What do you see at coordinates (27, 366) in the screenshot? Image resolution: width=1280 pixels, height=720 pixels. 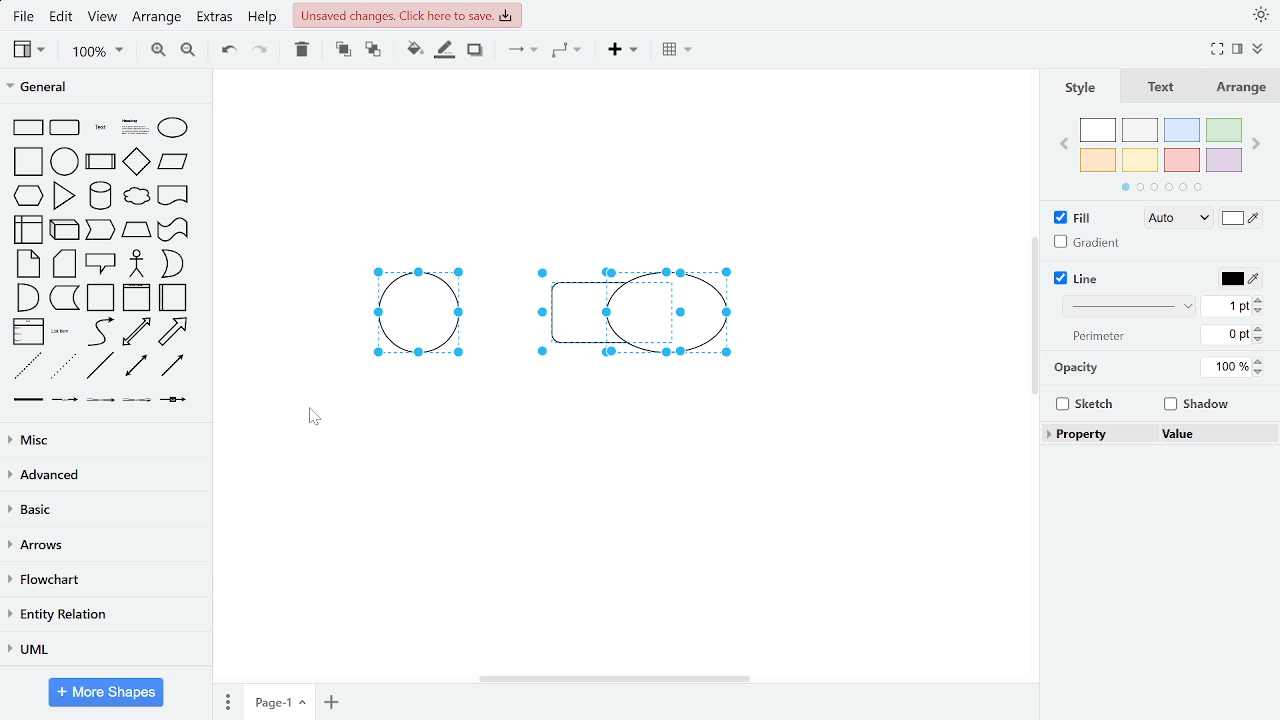 I see `dashed line` at bounding box center [27, 366].